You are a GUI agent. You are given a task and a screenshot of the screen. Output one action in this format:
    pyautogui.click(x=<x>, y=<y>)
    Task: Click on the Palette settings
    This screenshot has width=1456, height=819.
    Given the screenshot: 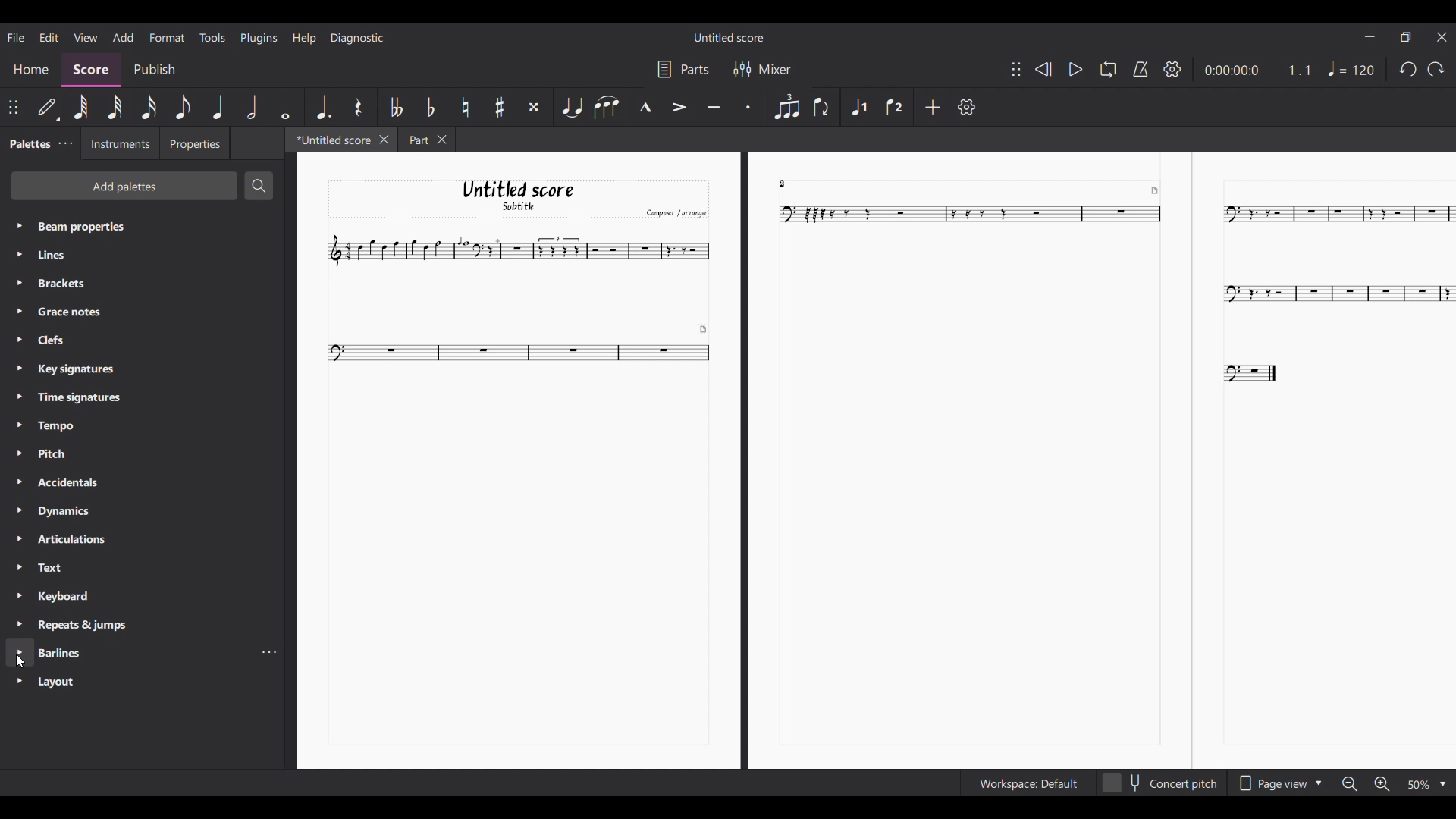 What is the action you would take?
    pyautogui.click(x=77, y=314)
    